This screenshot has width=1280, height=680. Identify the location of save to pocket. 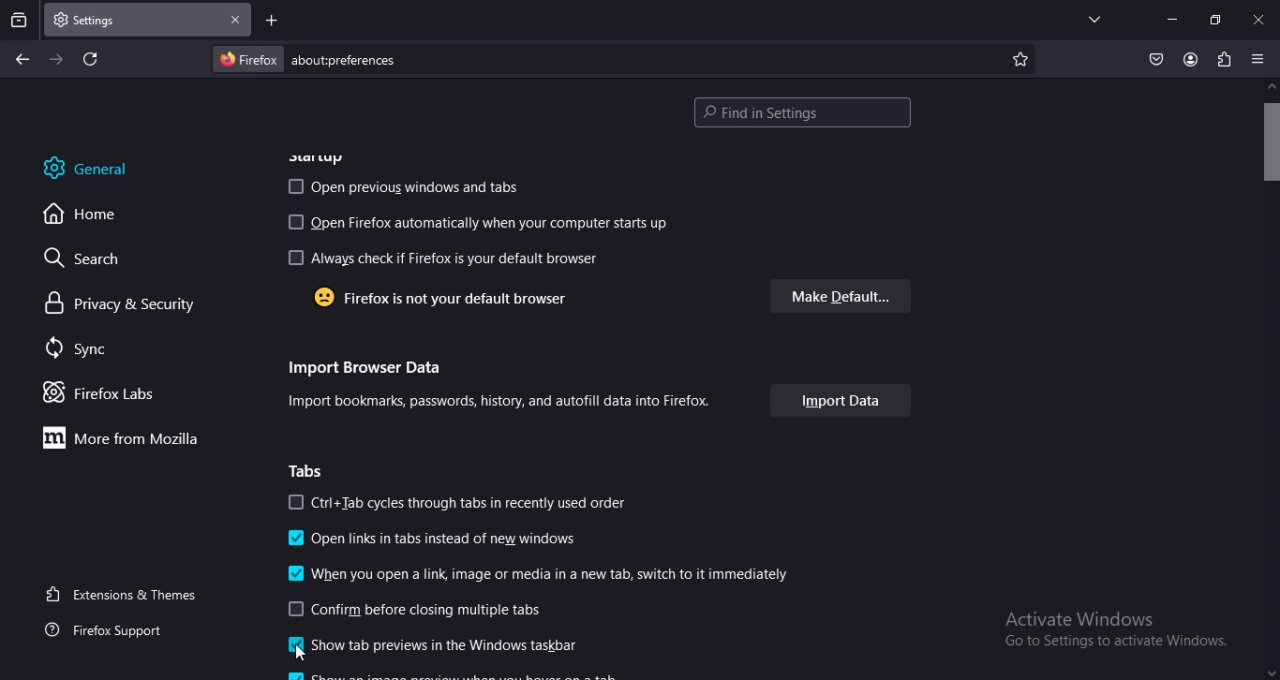
(1153, 57).